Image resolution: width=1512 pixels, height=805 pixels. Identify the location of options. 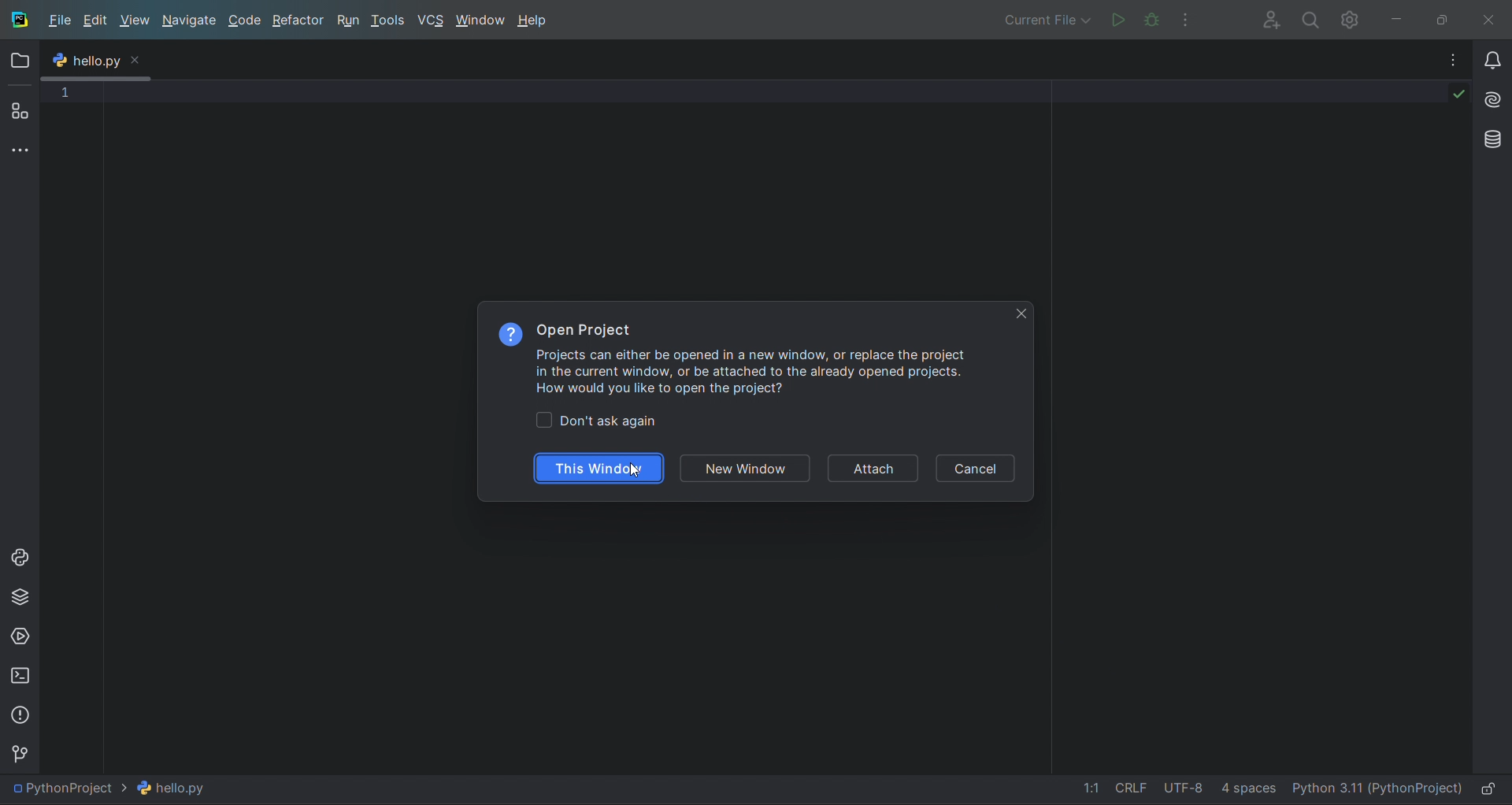
(510, 335).